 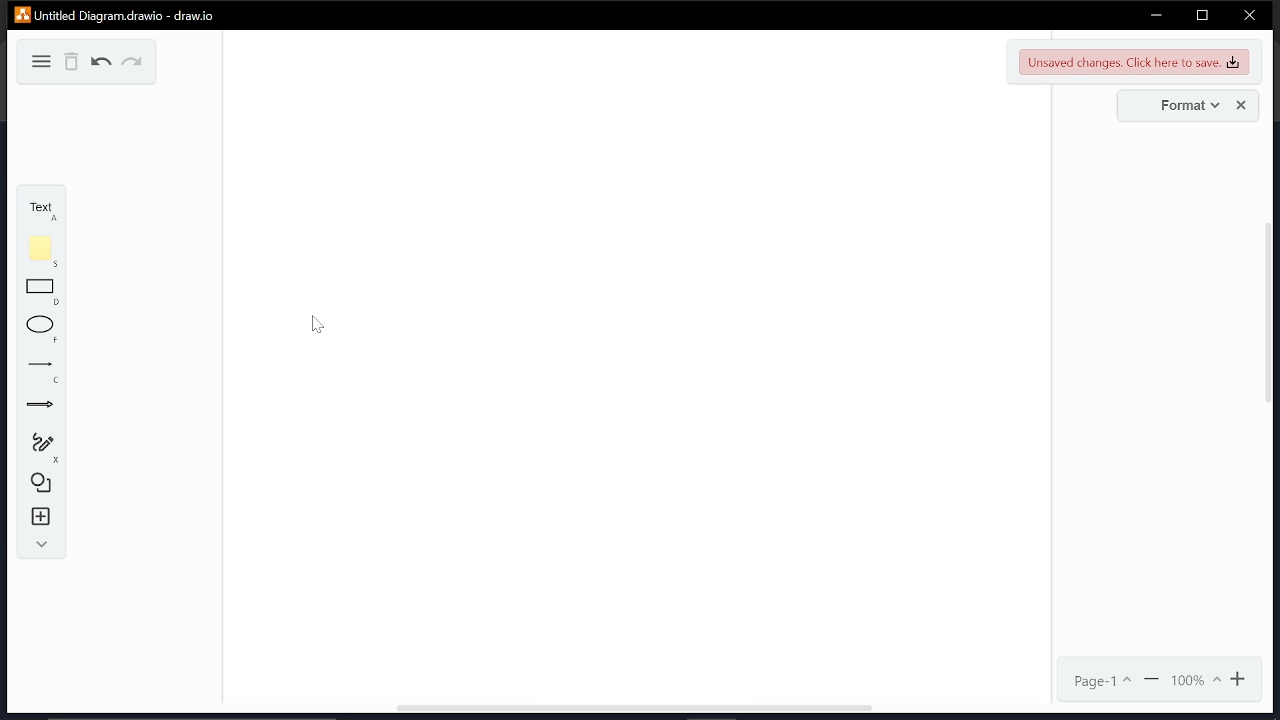 I want to click on redo, so click(x=133, y=64).